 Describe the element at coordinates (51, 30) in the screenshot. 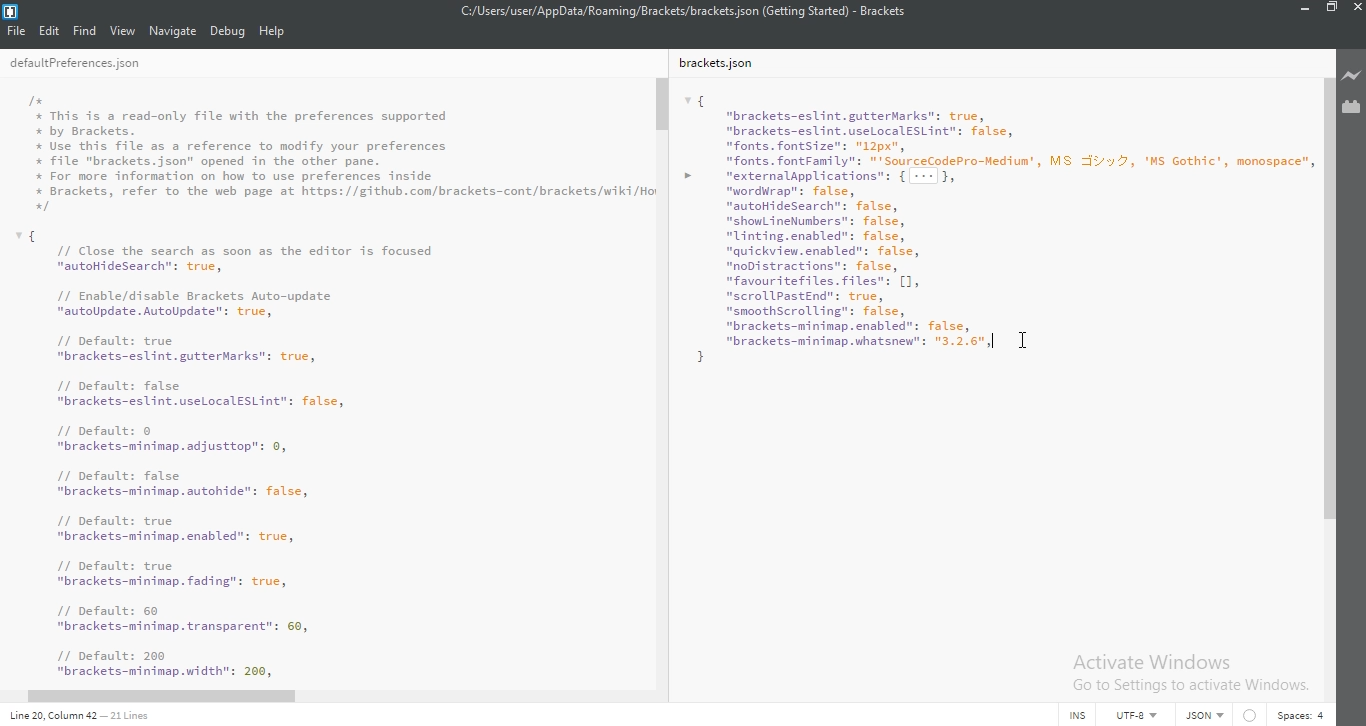

I see `Edit` at that location.